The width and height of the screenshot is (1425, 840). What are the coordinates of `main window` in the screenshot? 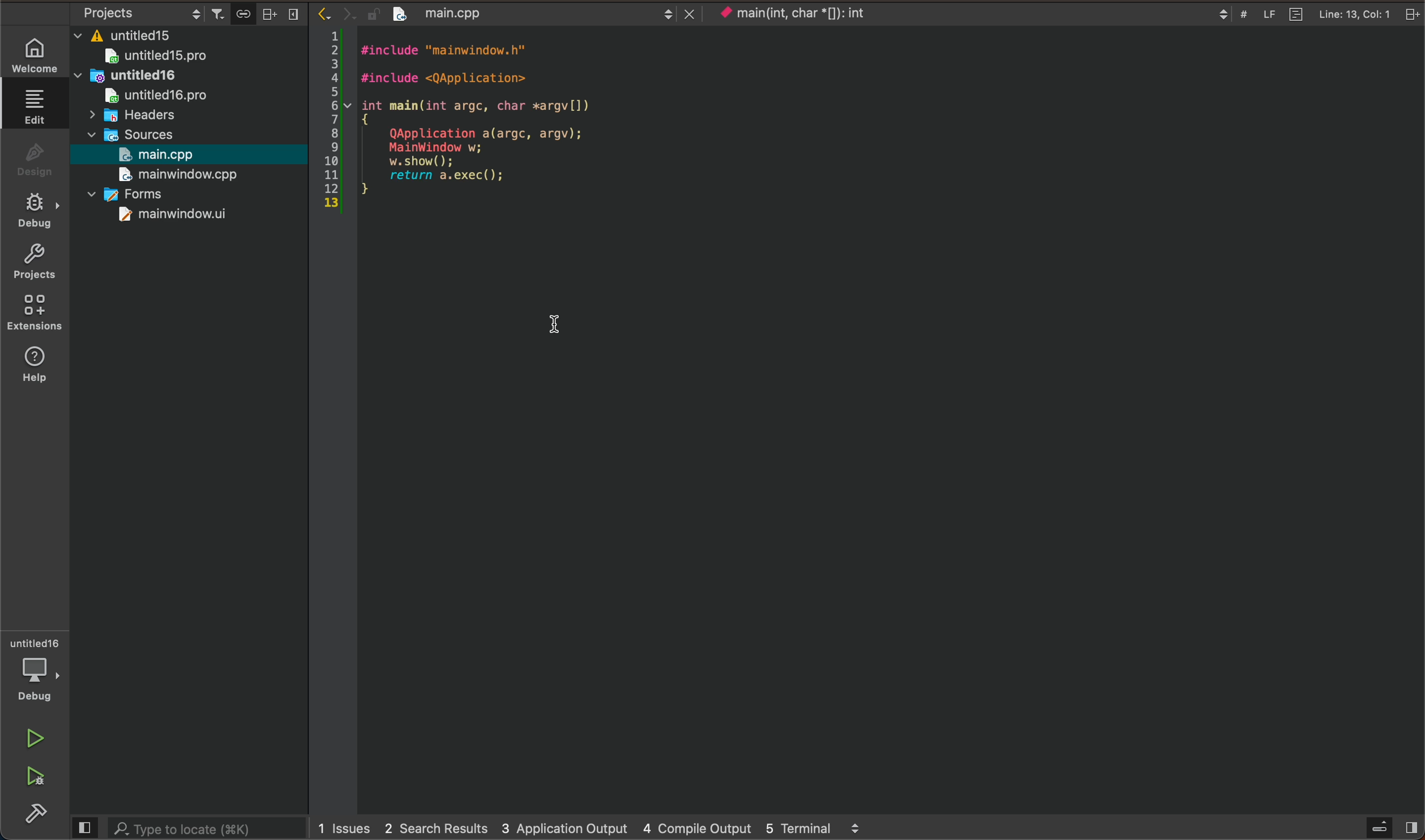 It's located at (186, 174).